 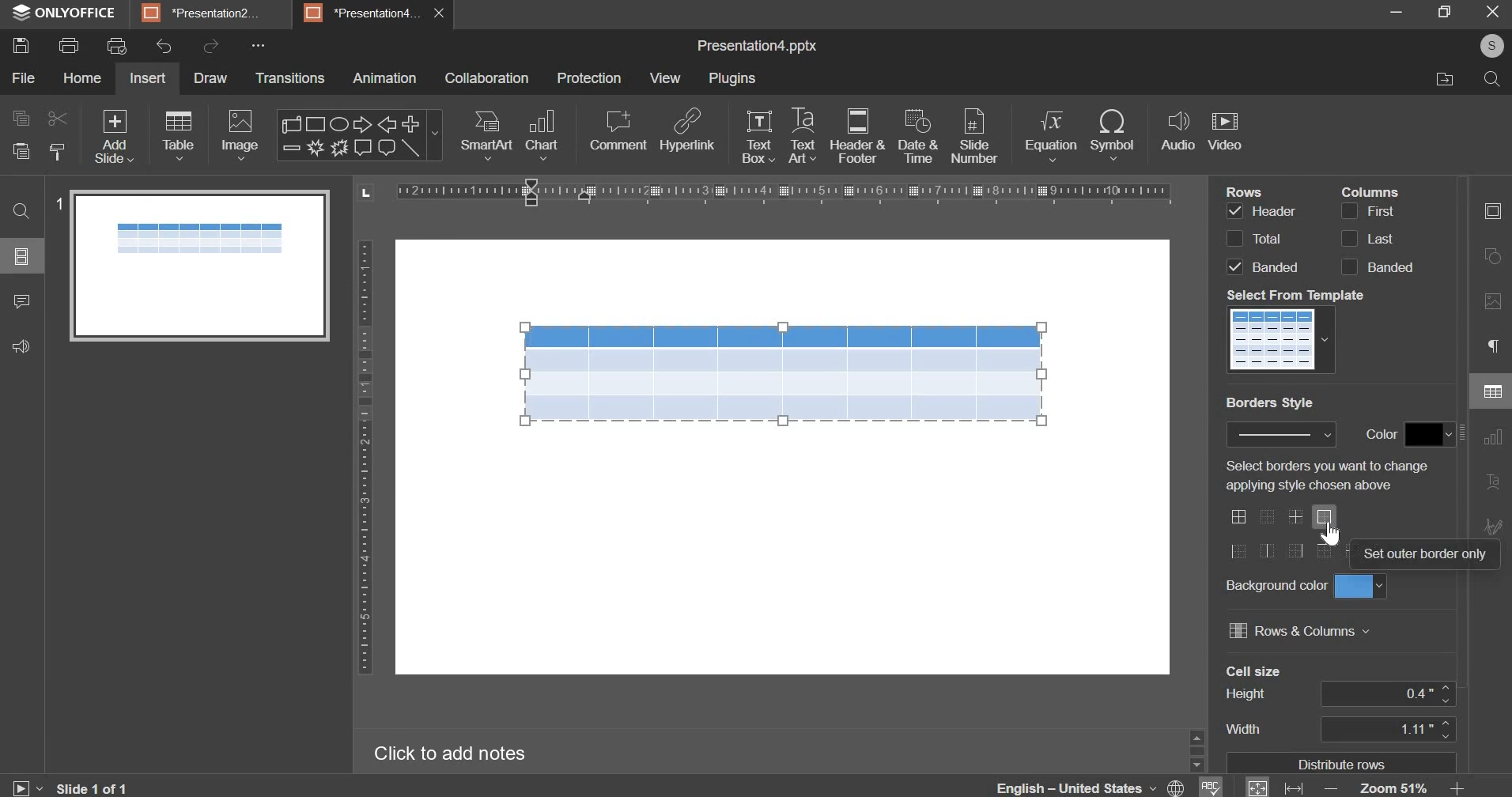 I want to click on cursor, so click(x=1329, y=535).